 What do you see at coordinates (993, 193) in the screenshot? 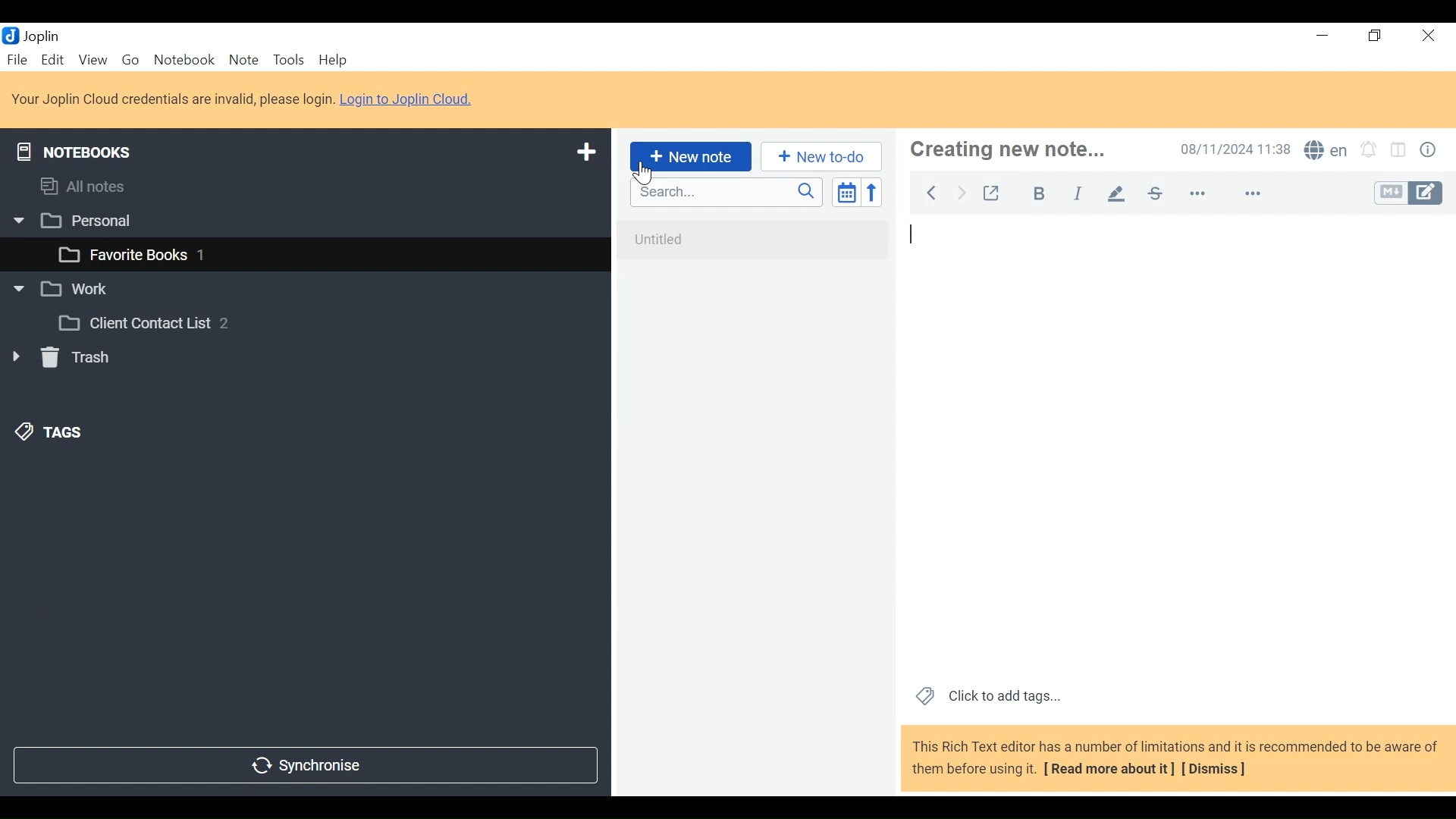
I see `Toggle external editing` at bounding box center [993, 193].